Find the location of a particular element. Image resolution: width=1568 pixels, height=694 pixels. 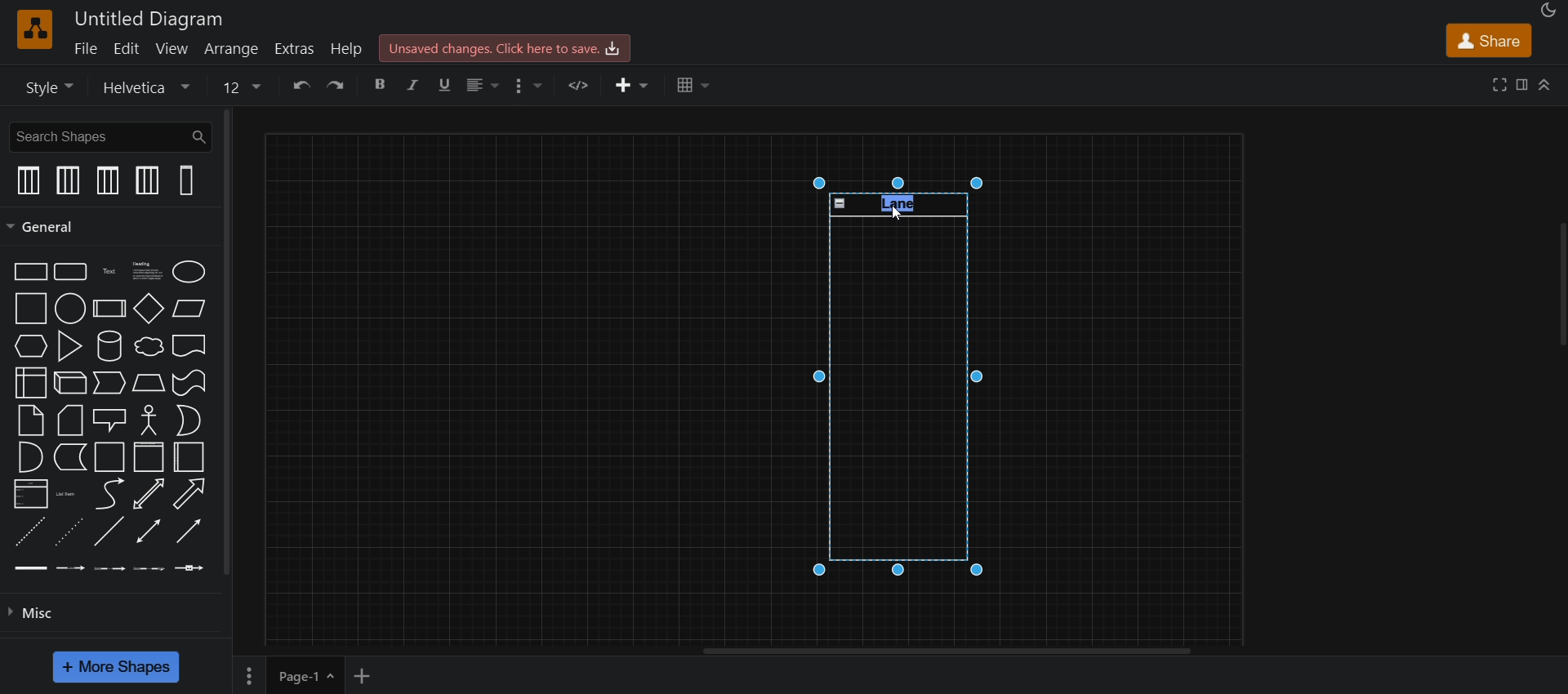

trinagle is located at coordinates (71, 345).